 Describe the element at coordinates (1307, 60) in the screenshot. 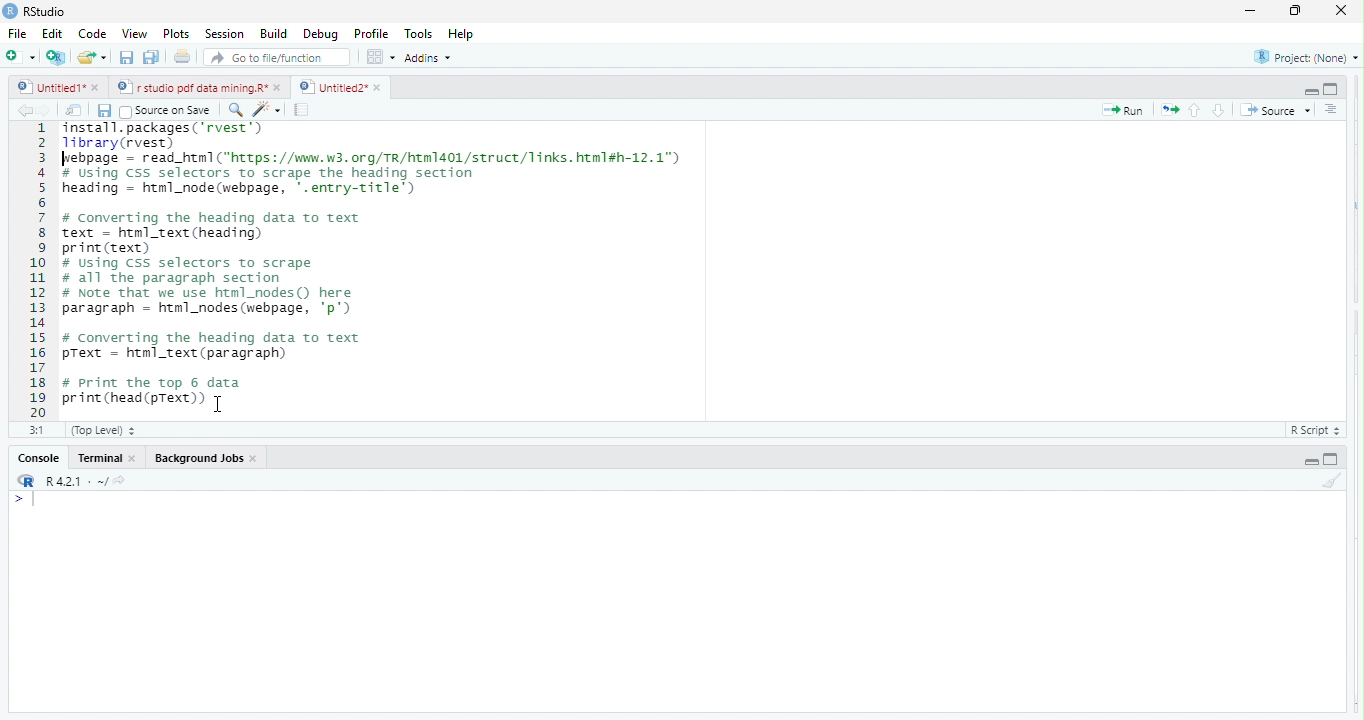

I see ` project: (None)` at that location.